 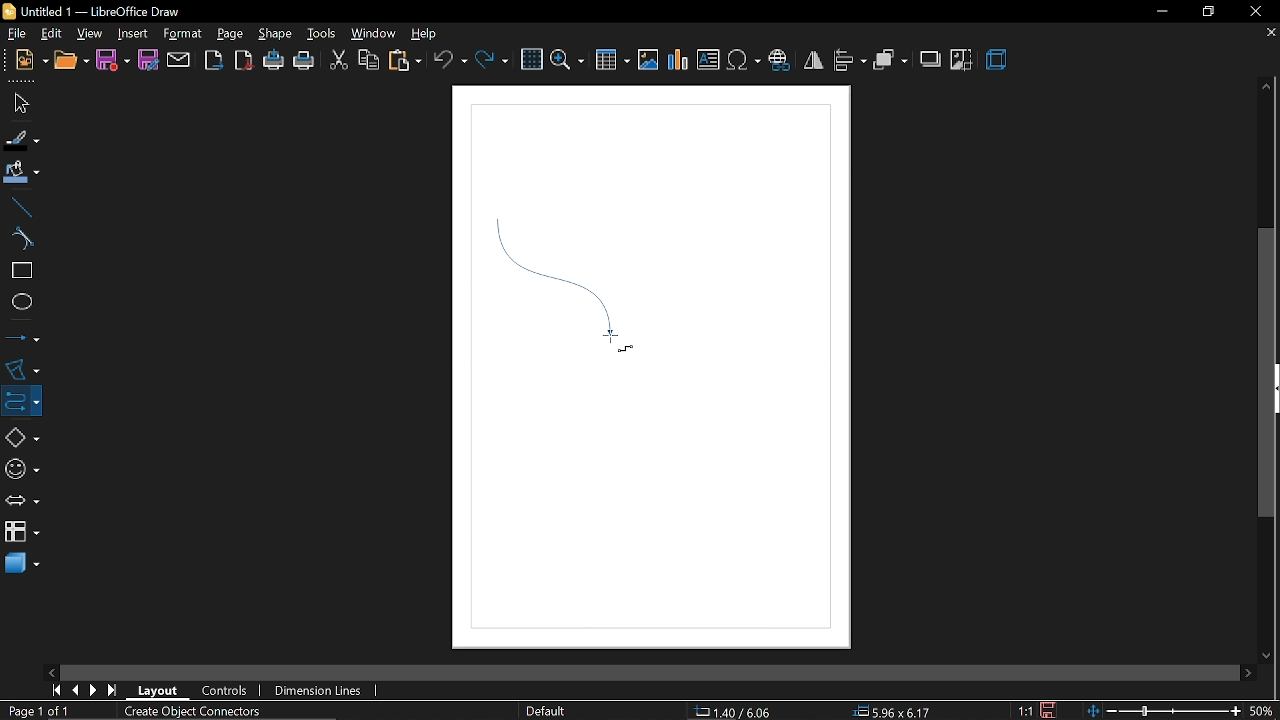 What do you see at coordinates (743, 61) in the screenshot?
I see `Insert symbol` at bounding box center [743, 61].